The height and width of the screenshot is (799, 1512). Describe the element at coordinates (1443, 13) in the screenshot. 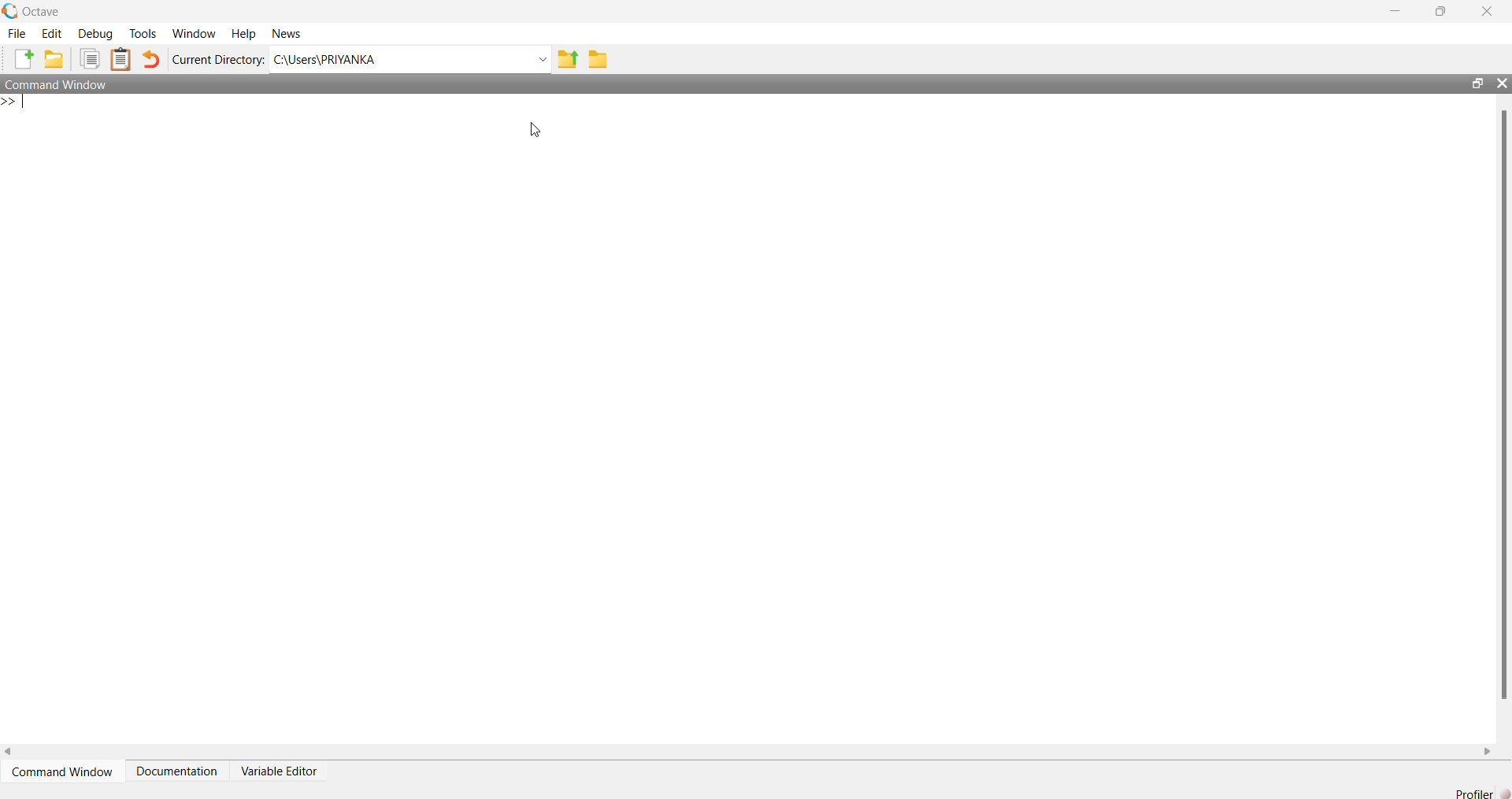

I see `maximise` at that location.